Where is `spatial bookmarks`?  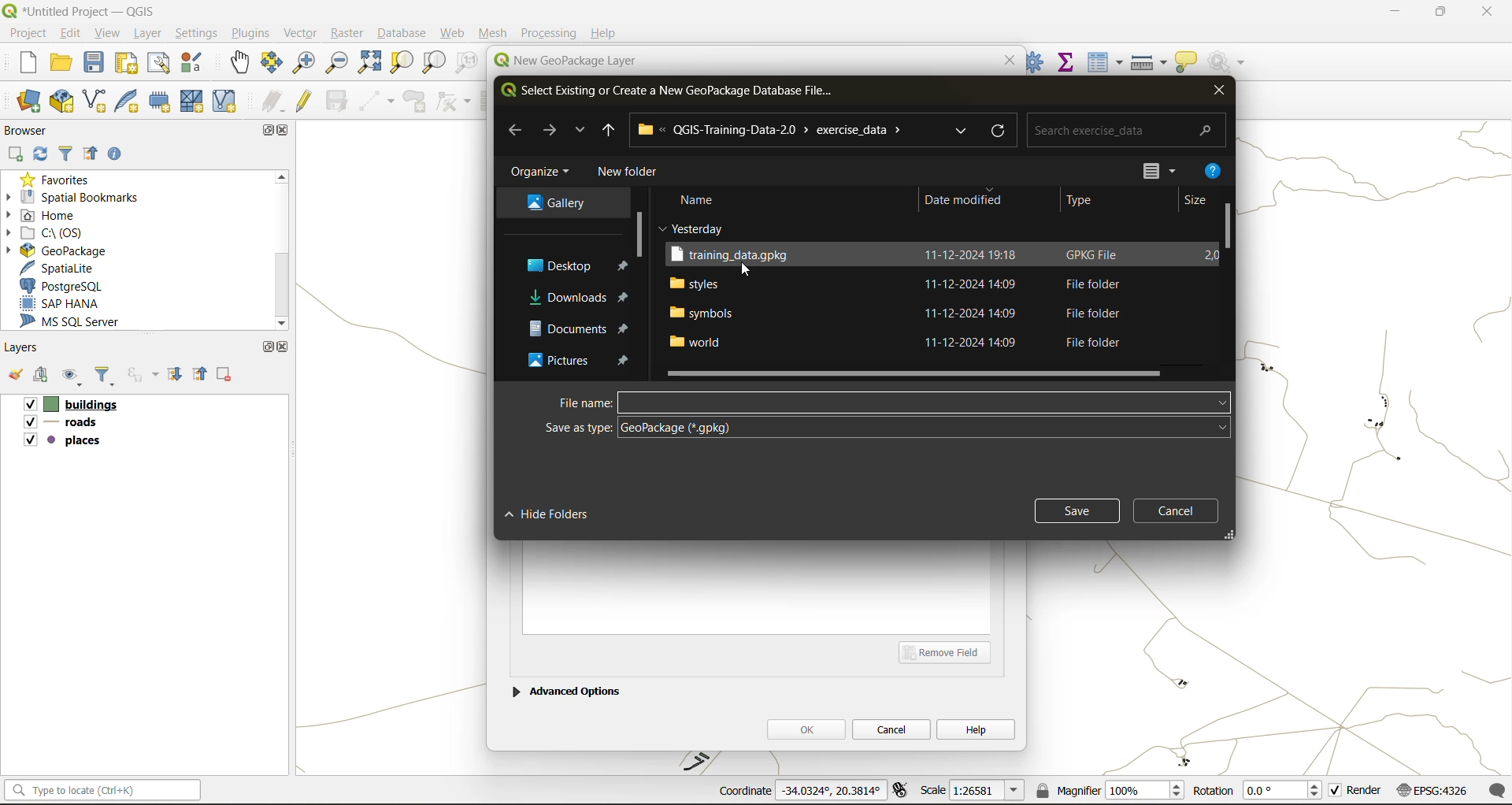
spatial bookmarks is located at coordinates (83, 197).